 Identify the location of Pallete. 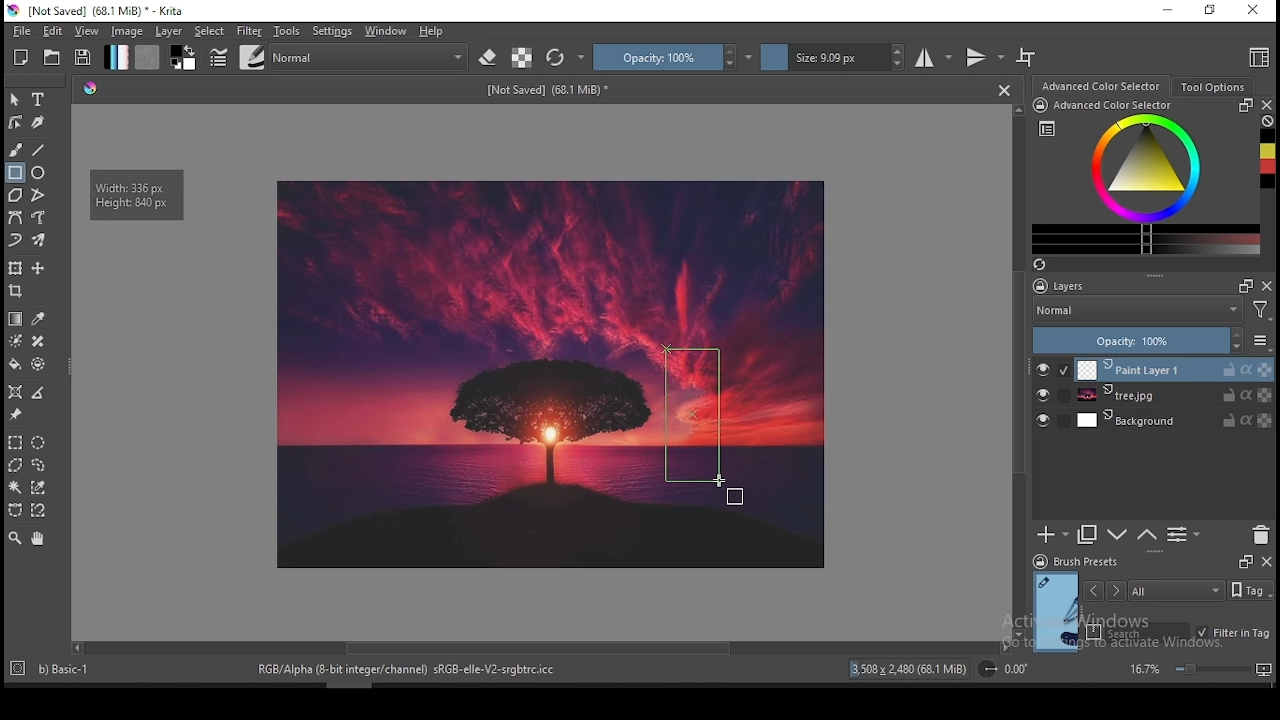
(91, 90).